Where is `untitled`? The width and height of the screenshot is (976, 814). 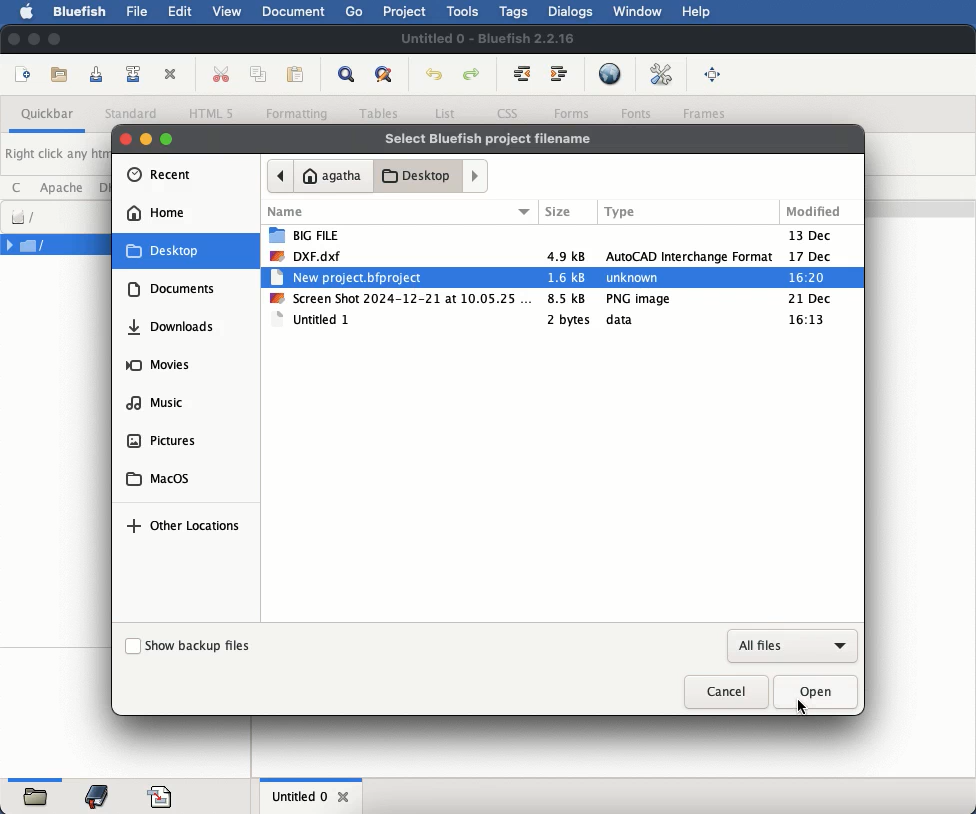
untitled is located at coordinates (311, 321).